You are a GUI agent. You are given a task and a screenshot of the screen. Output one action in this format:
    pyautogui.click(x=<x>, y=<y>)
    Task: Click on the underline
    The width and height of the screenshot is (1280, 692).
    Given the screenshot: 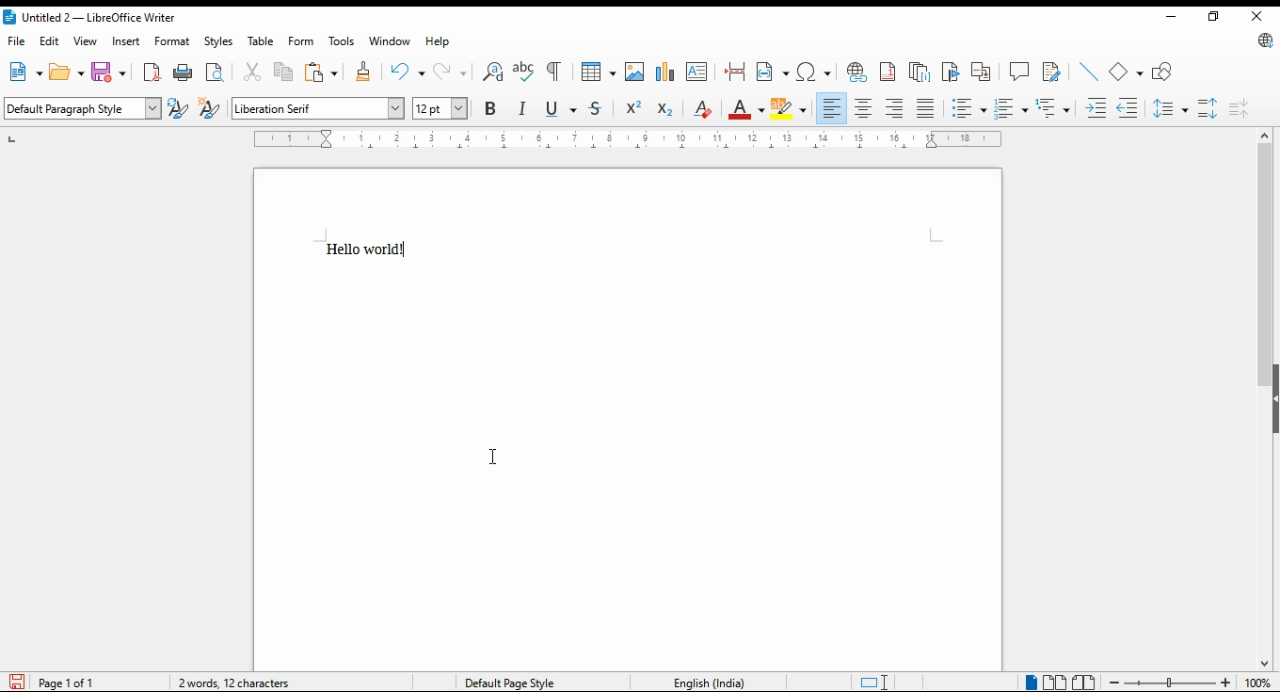 What is the action you would take?
    pyautogui.click(x=560, y=107)
    